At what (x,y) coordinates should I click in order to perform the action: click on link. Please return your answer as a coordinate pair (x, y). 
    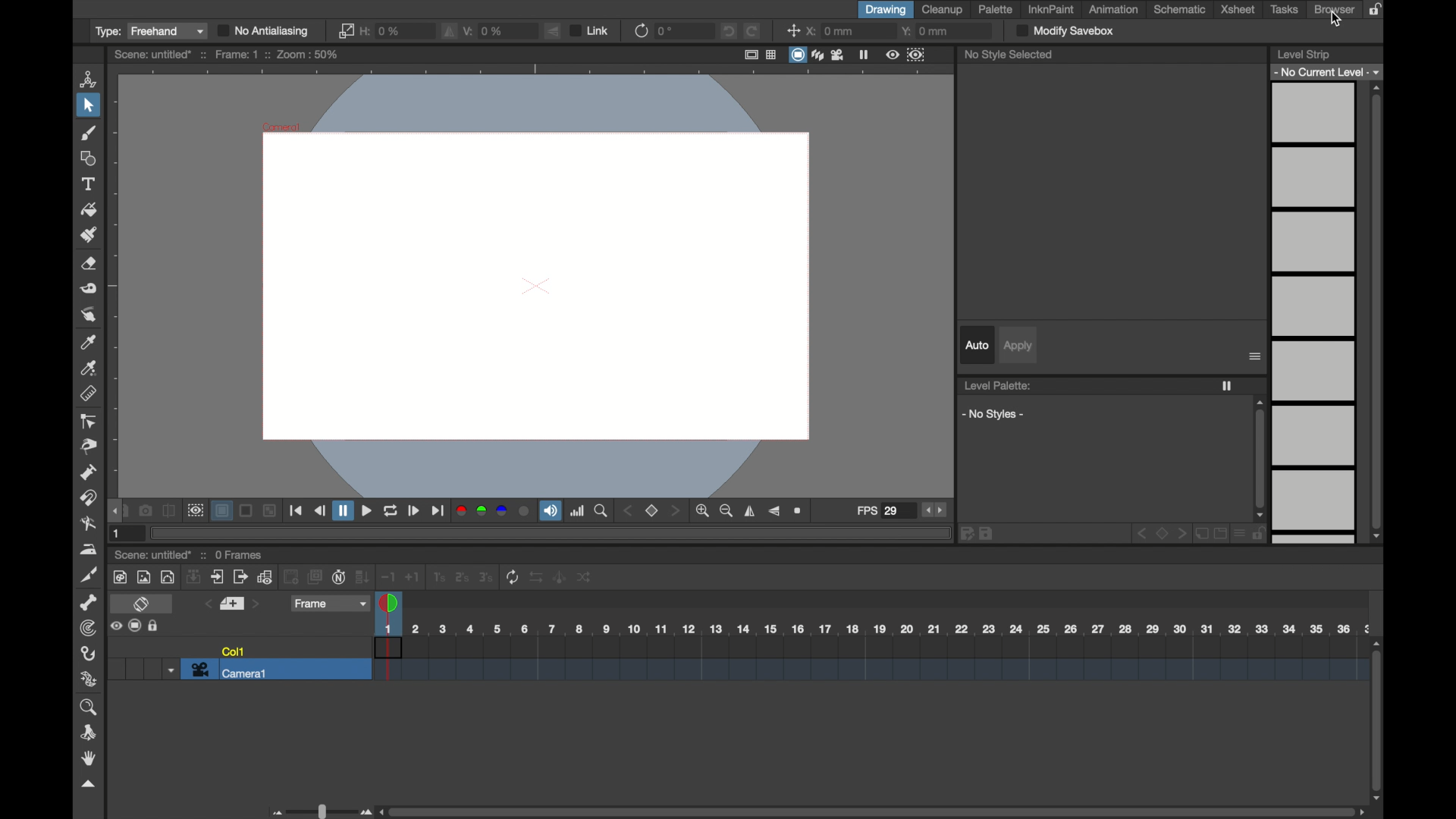
    Looking at the image, I should click on (591, 30).